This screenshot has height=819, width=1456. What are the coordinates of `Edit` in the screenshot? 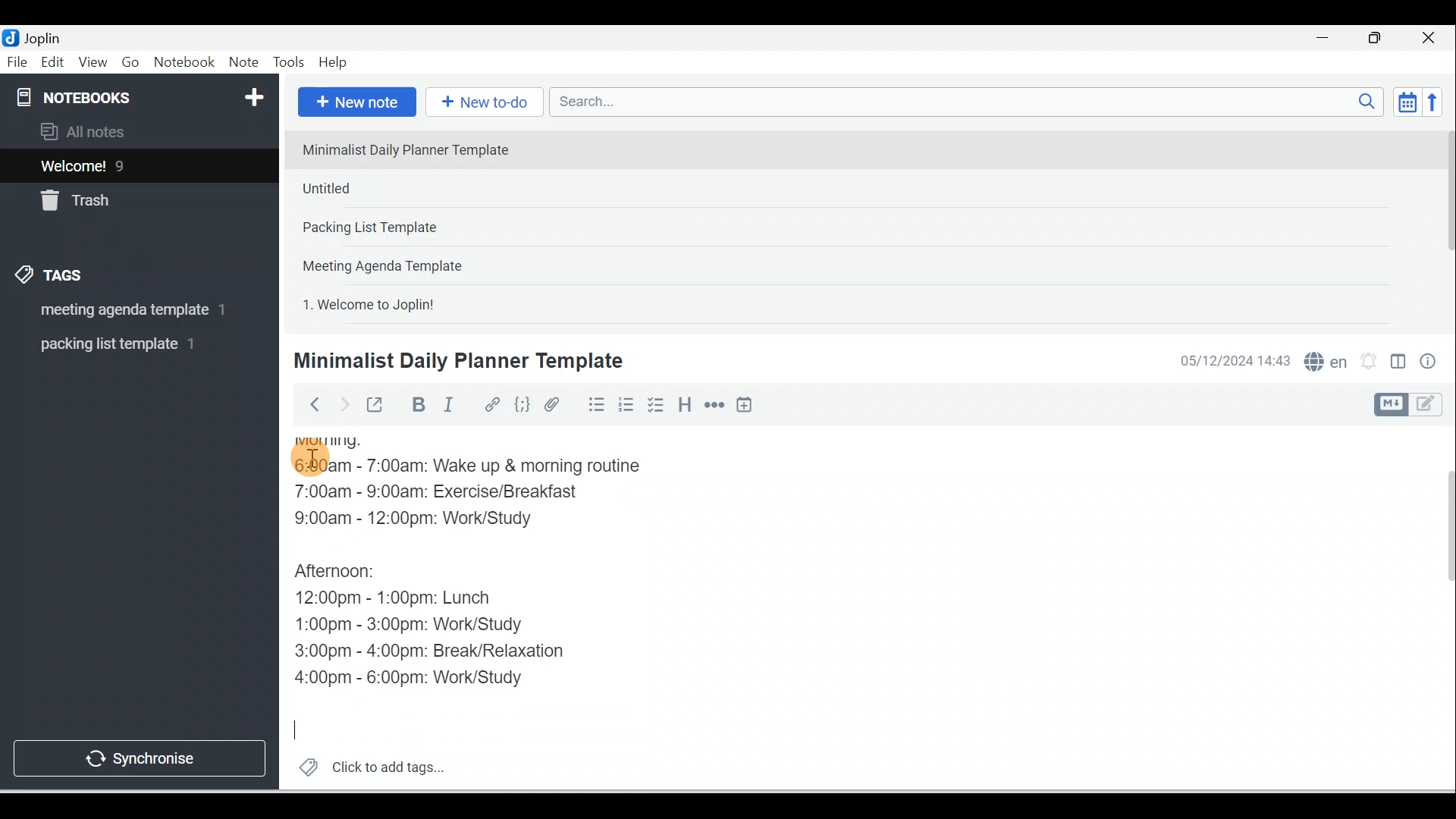 It's located at (54, 63).